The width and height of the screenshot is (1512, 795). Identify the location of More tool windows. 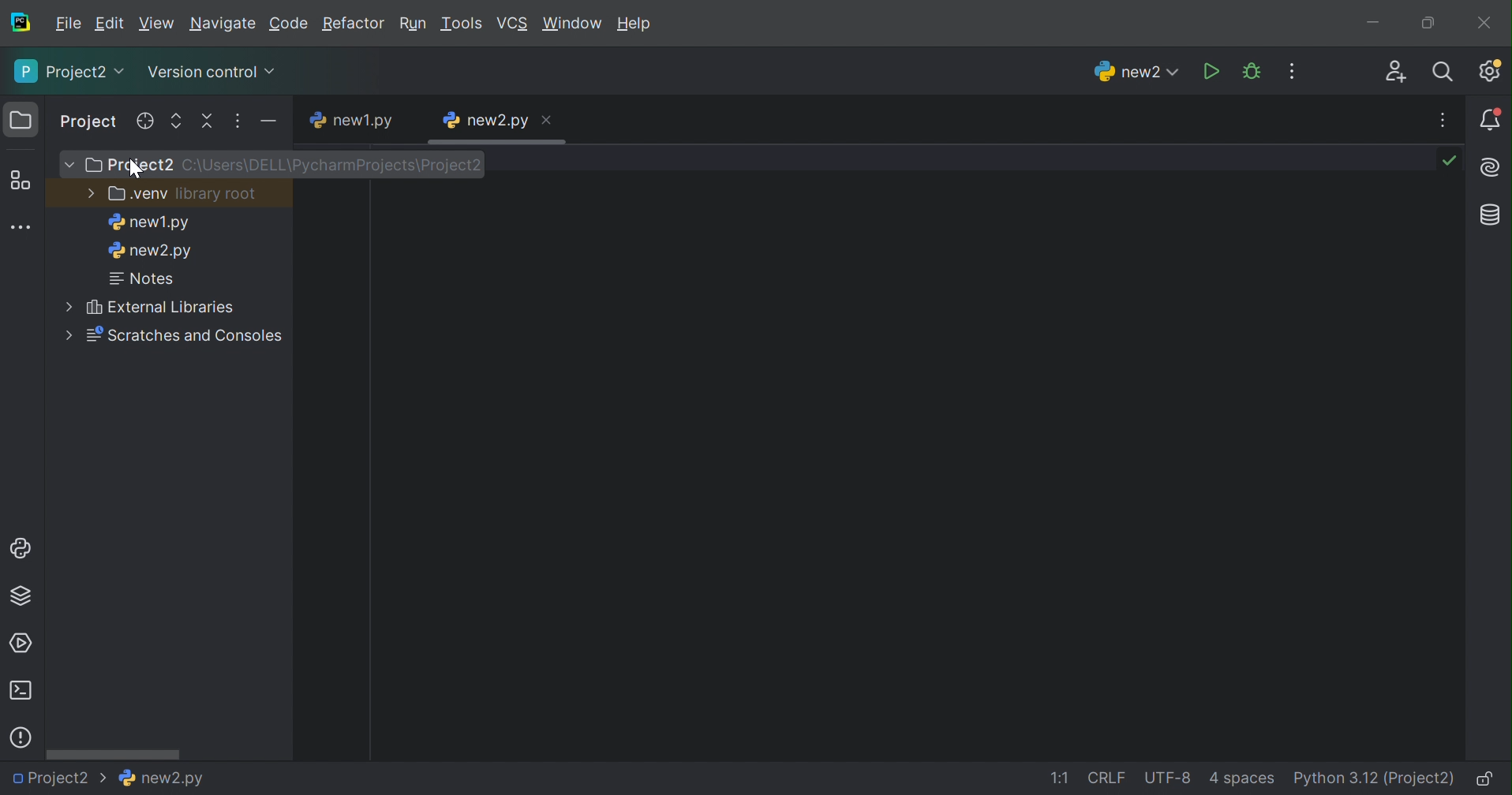
(22, 226).